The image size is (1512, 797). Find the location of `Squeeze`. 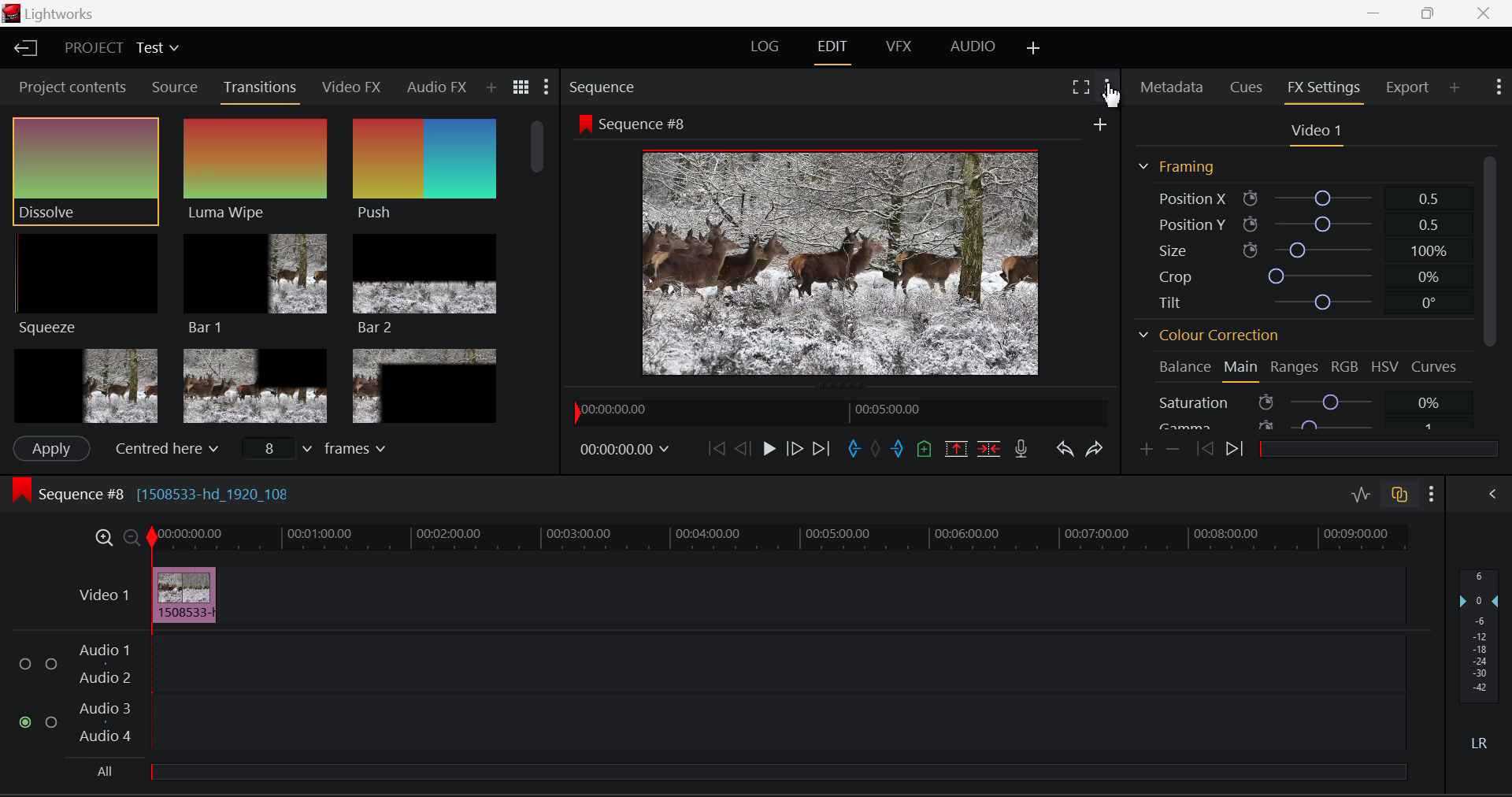

Squeeze is located at coordinates (86, 284).